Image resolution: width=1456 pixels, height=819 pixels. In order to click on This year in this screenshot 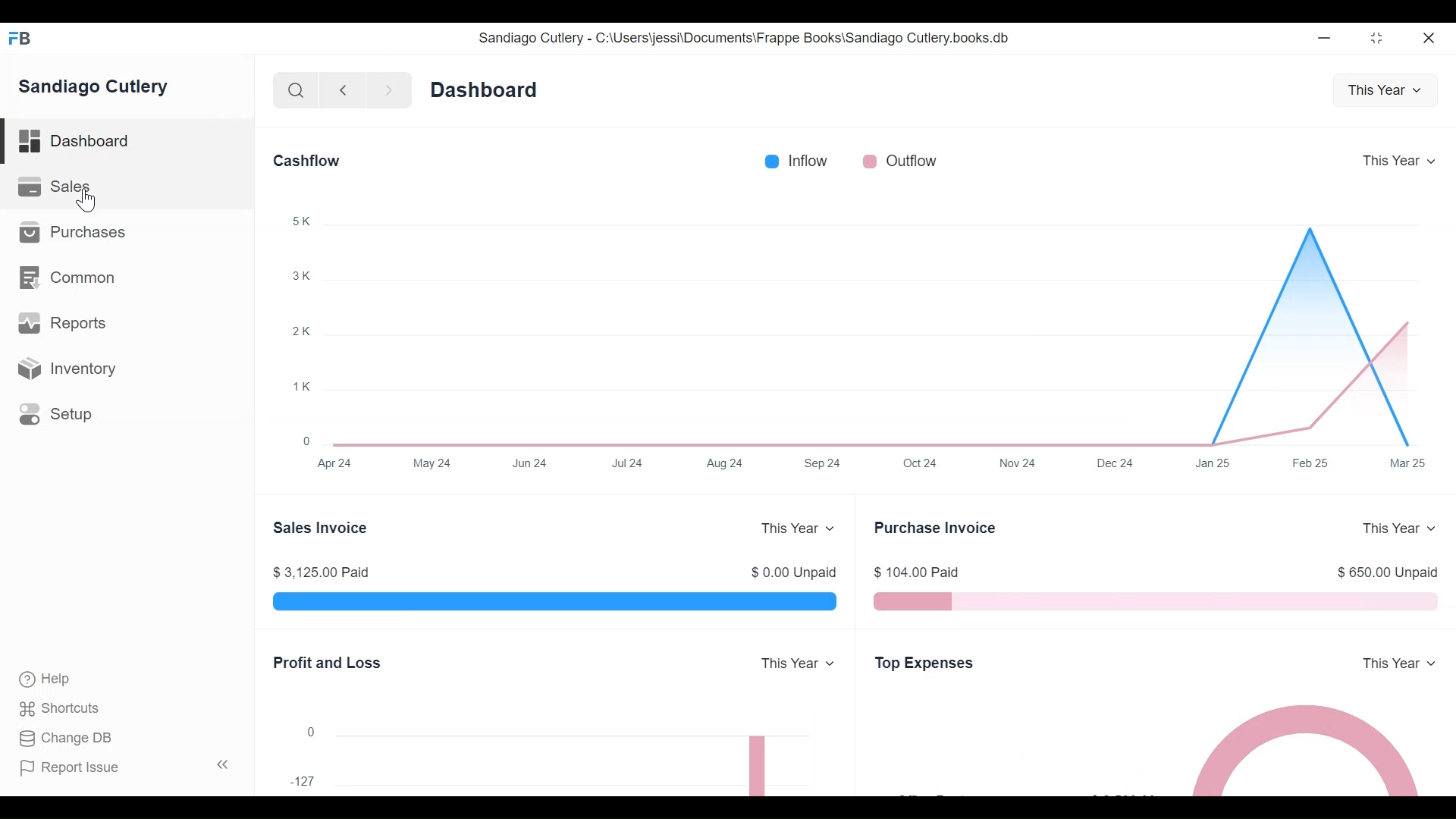, I will do `click(797, 529)`.